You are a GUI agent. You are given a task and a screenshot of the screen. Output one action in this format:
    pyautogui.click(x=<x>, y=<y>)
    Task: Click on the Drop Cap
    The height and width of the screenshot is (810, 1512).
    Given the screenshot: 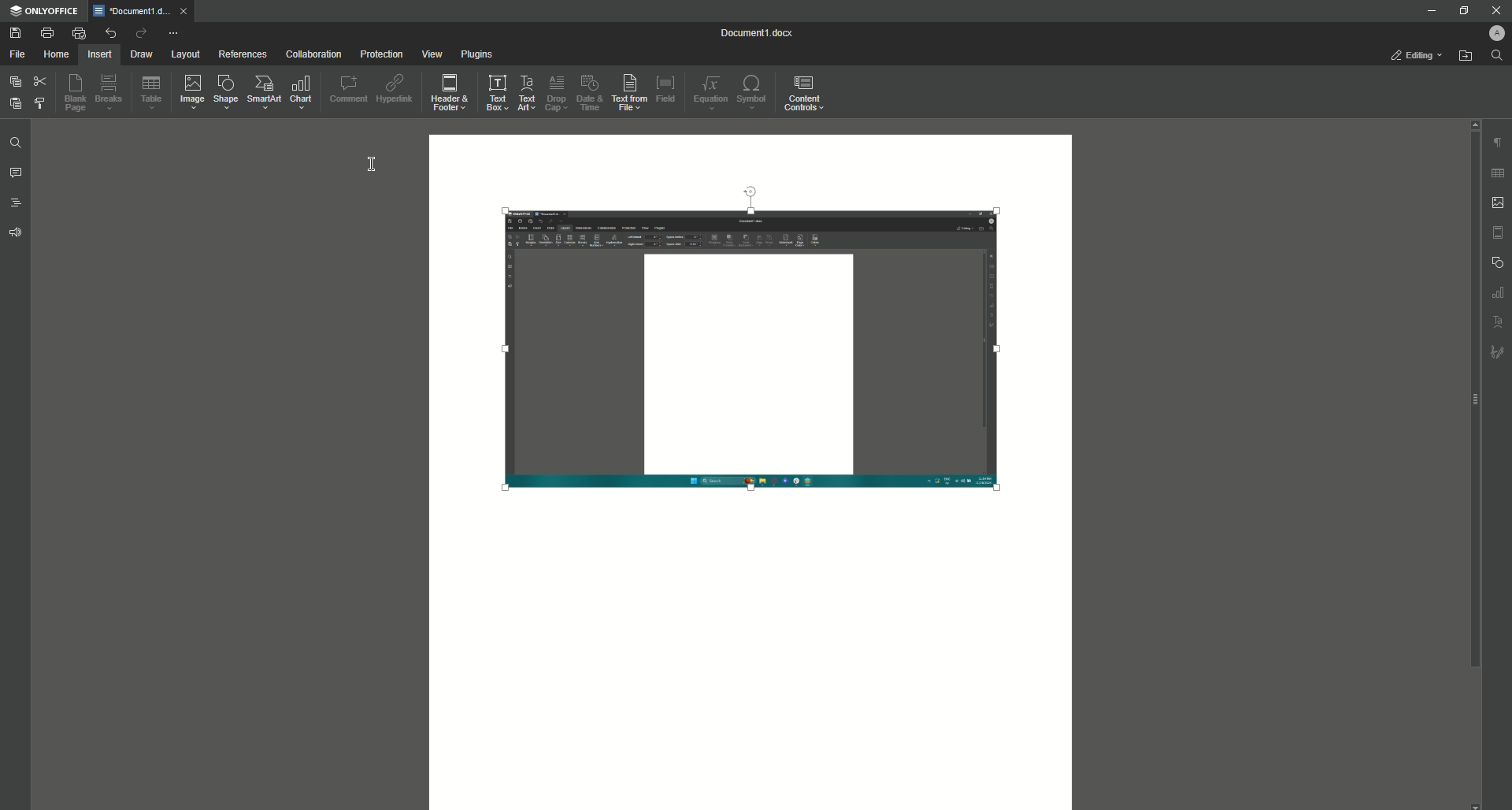 What is the action you would take?
    pyautogui.click(x=556, y=94)
    